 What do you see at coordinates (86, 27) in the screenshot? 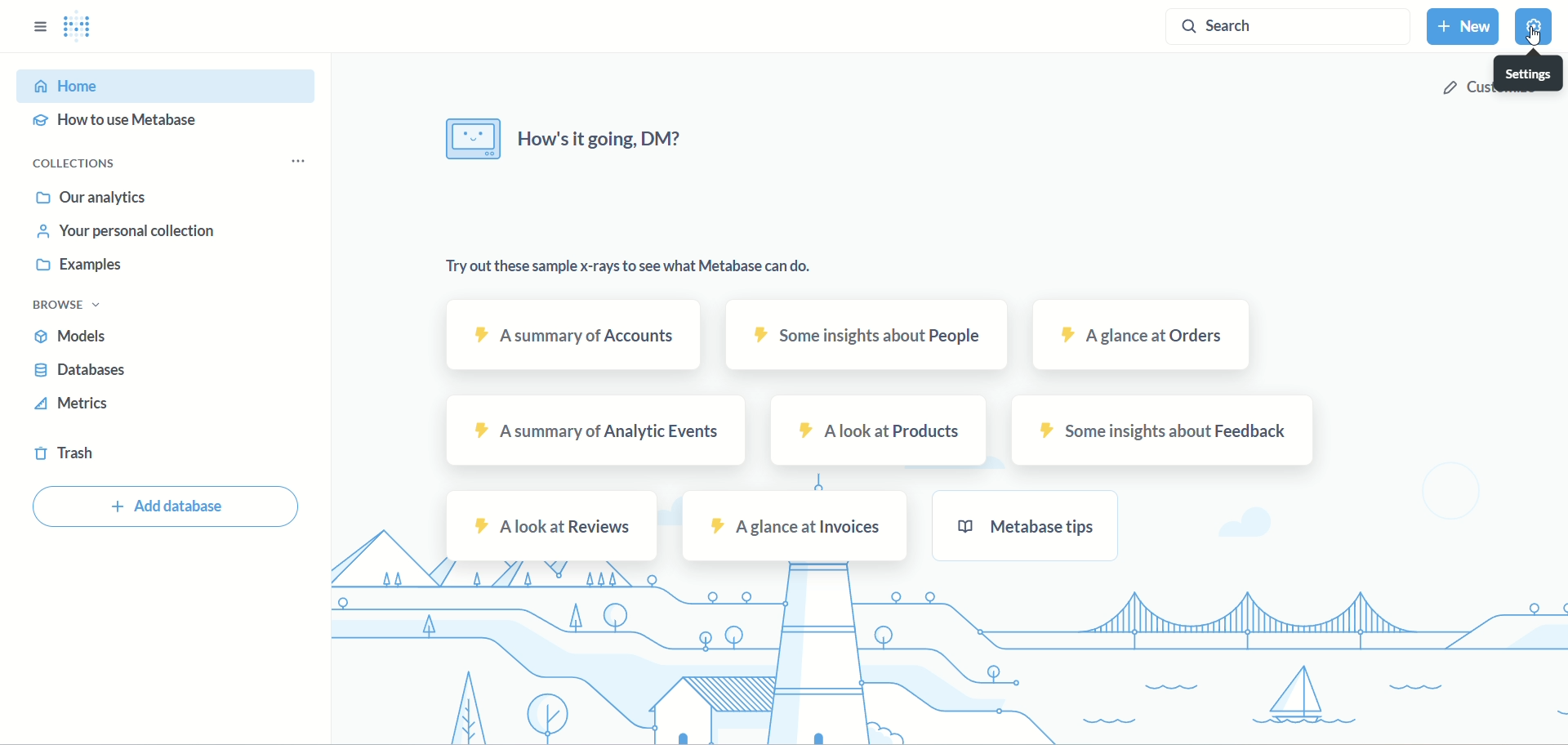
I see `logo` at bounding box center [86, 27].